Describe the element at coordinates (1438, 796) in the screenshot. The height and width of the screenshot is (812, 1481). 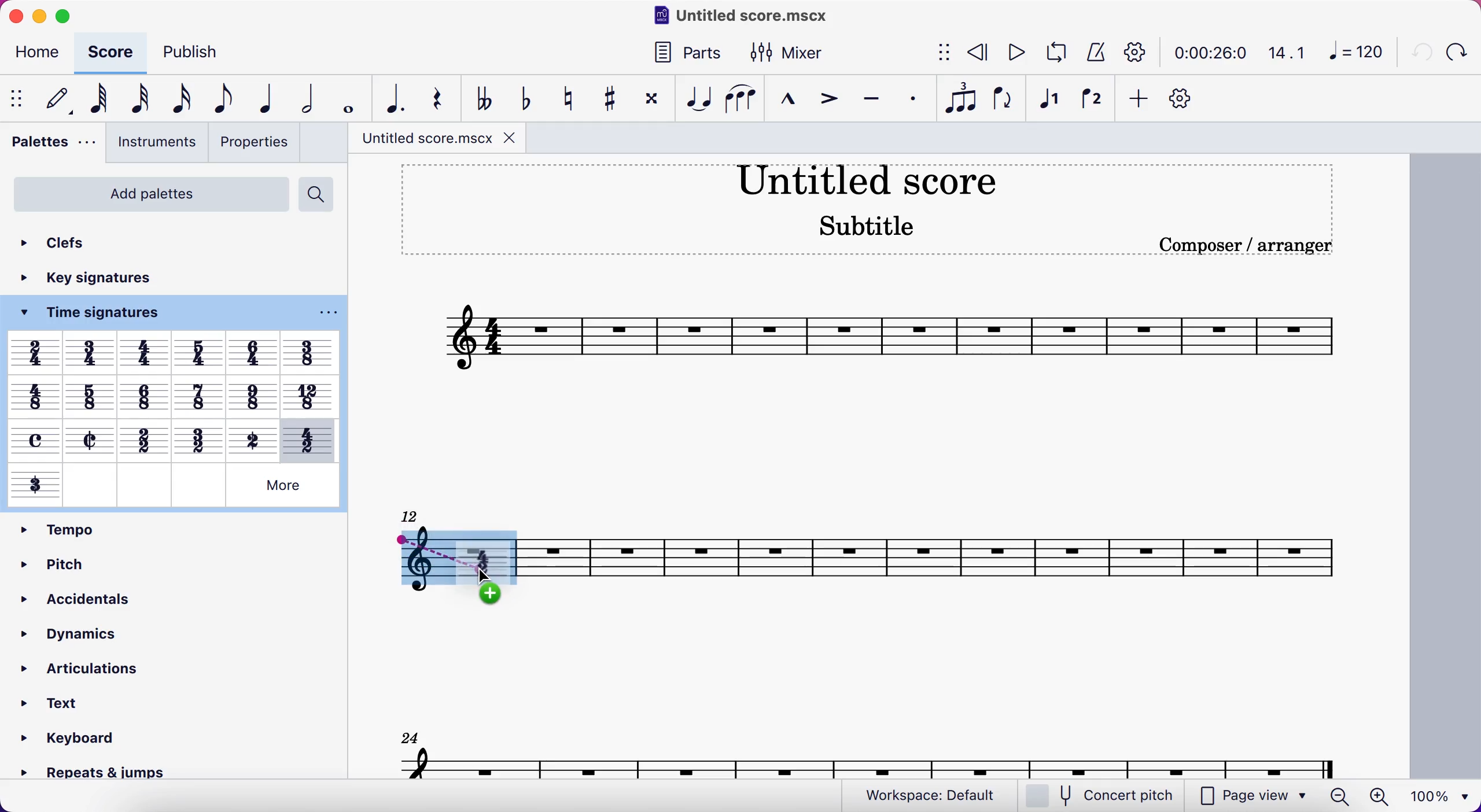
I see `100%` at that location.